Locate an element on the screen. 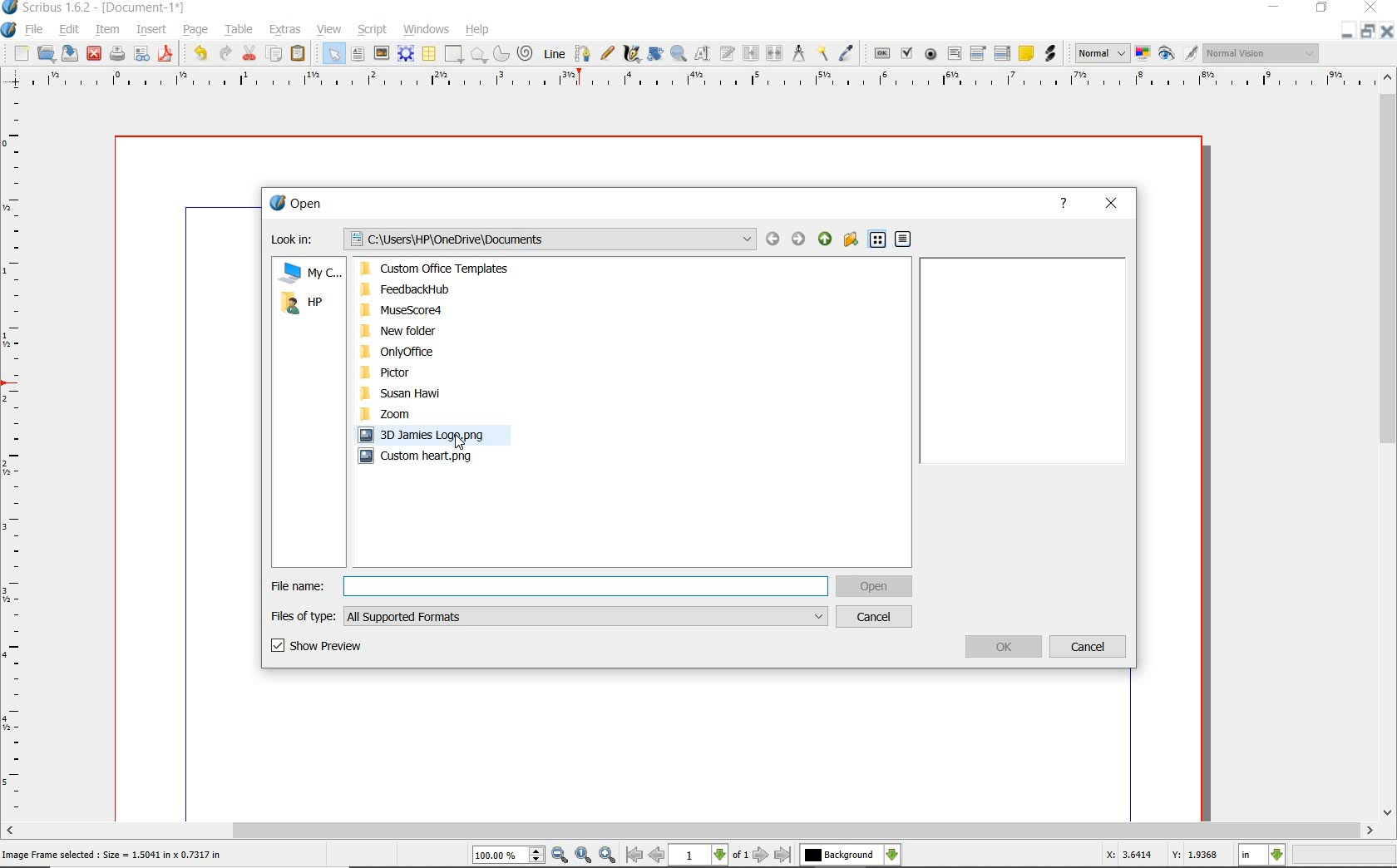 The image size is (1397, 868). list view is located at coordinates (879, 242).